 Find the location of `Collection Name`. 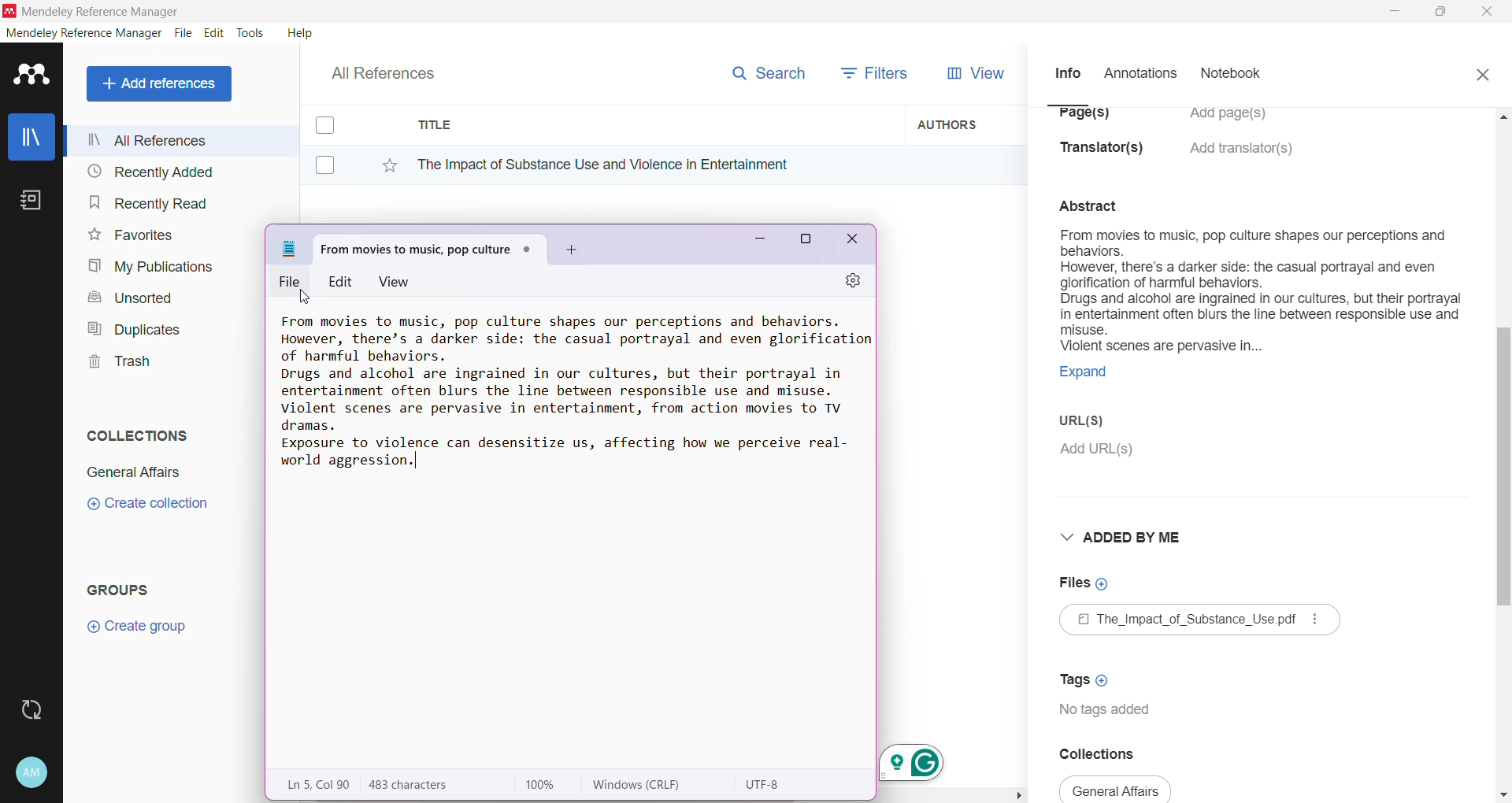

Collection Name is located at coordinates (131, 472).